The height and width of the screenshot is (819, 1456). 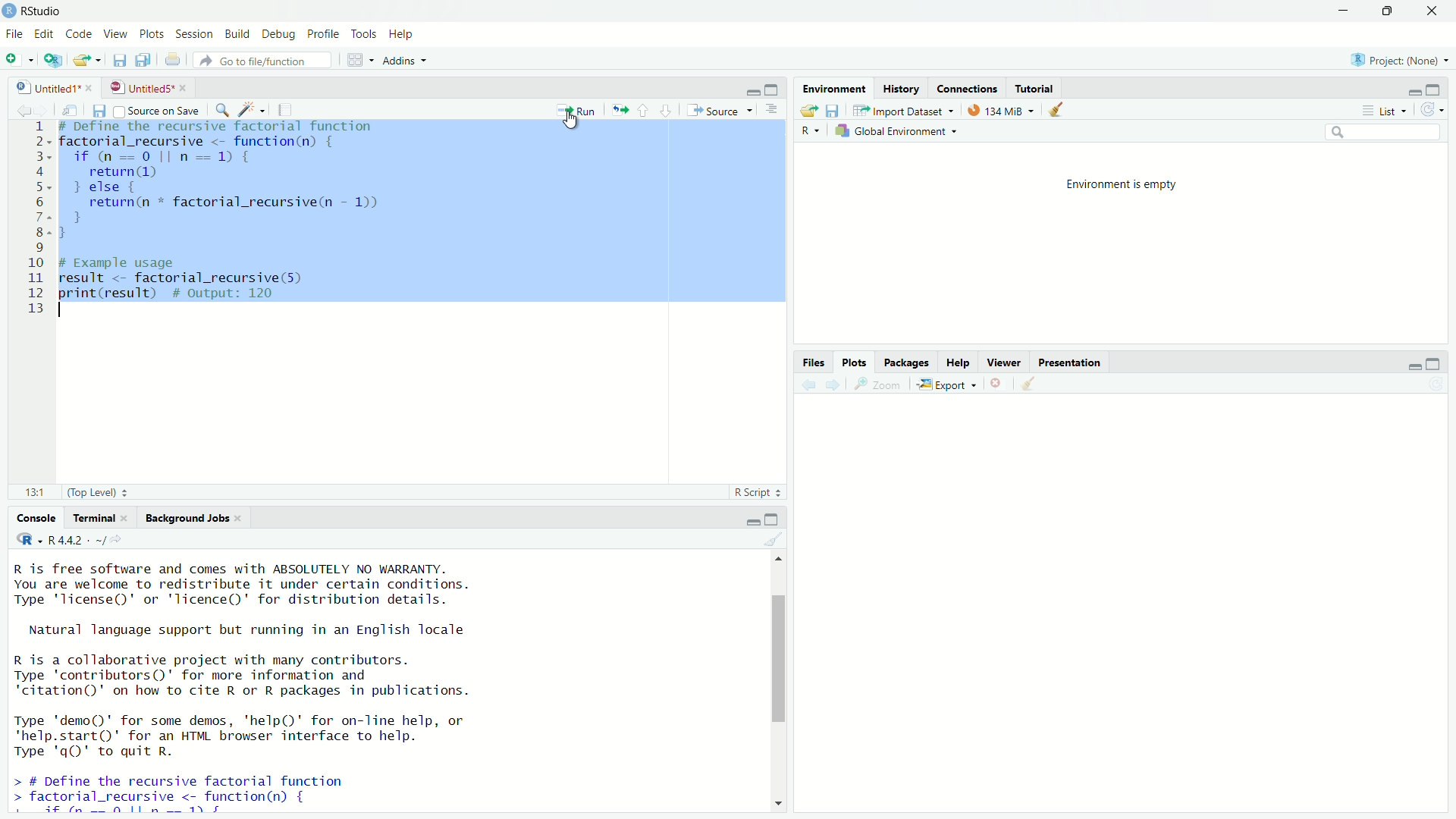 What do you see at coordinates (834, 86) in the screenshot?
I see `Environment` at bounding box center [834, 86].